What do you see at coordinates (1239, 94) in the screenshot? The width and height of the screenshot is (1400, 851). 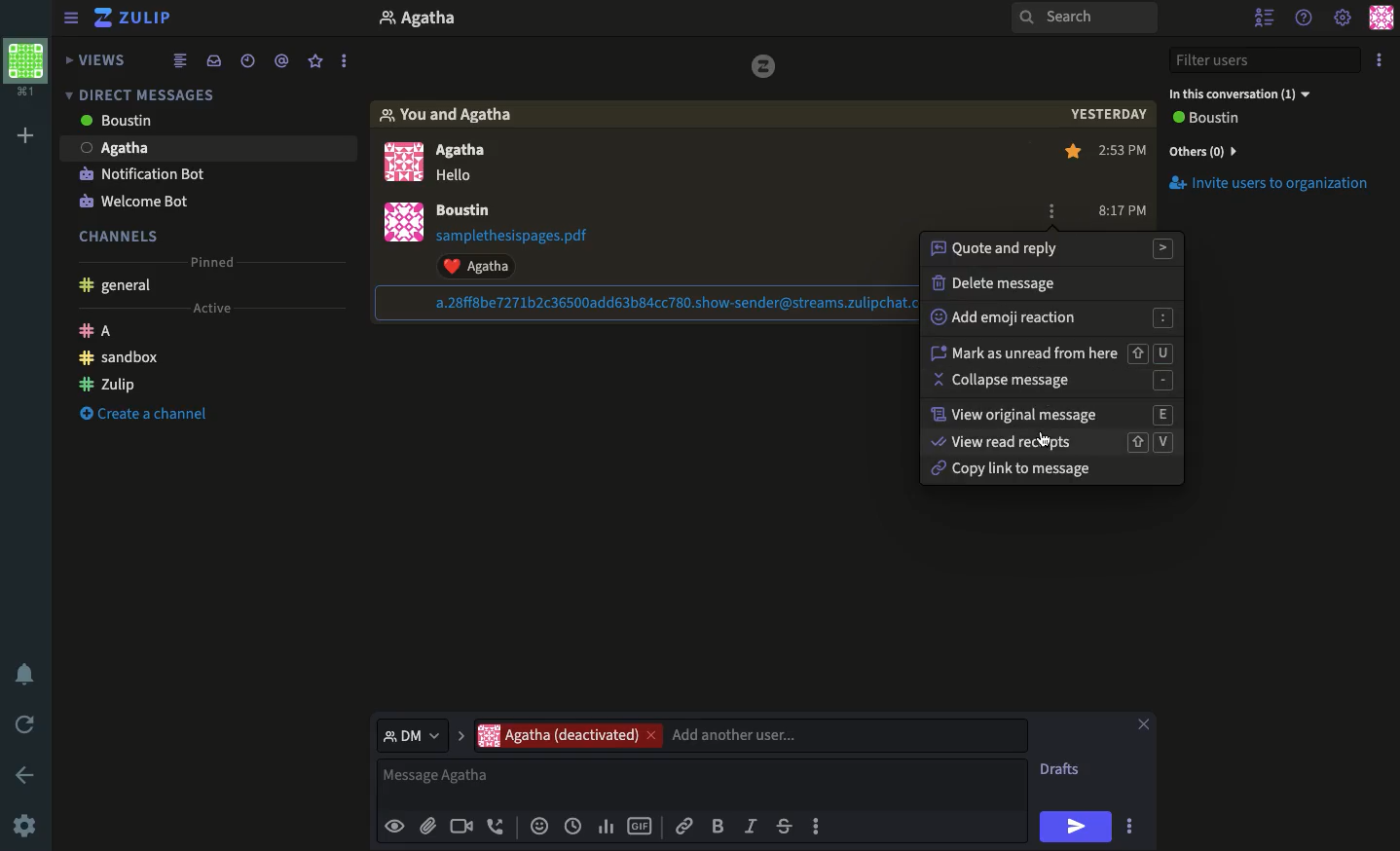 I see `In this conversation` at bounding box center [1239, 94].